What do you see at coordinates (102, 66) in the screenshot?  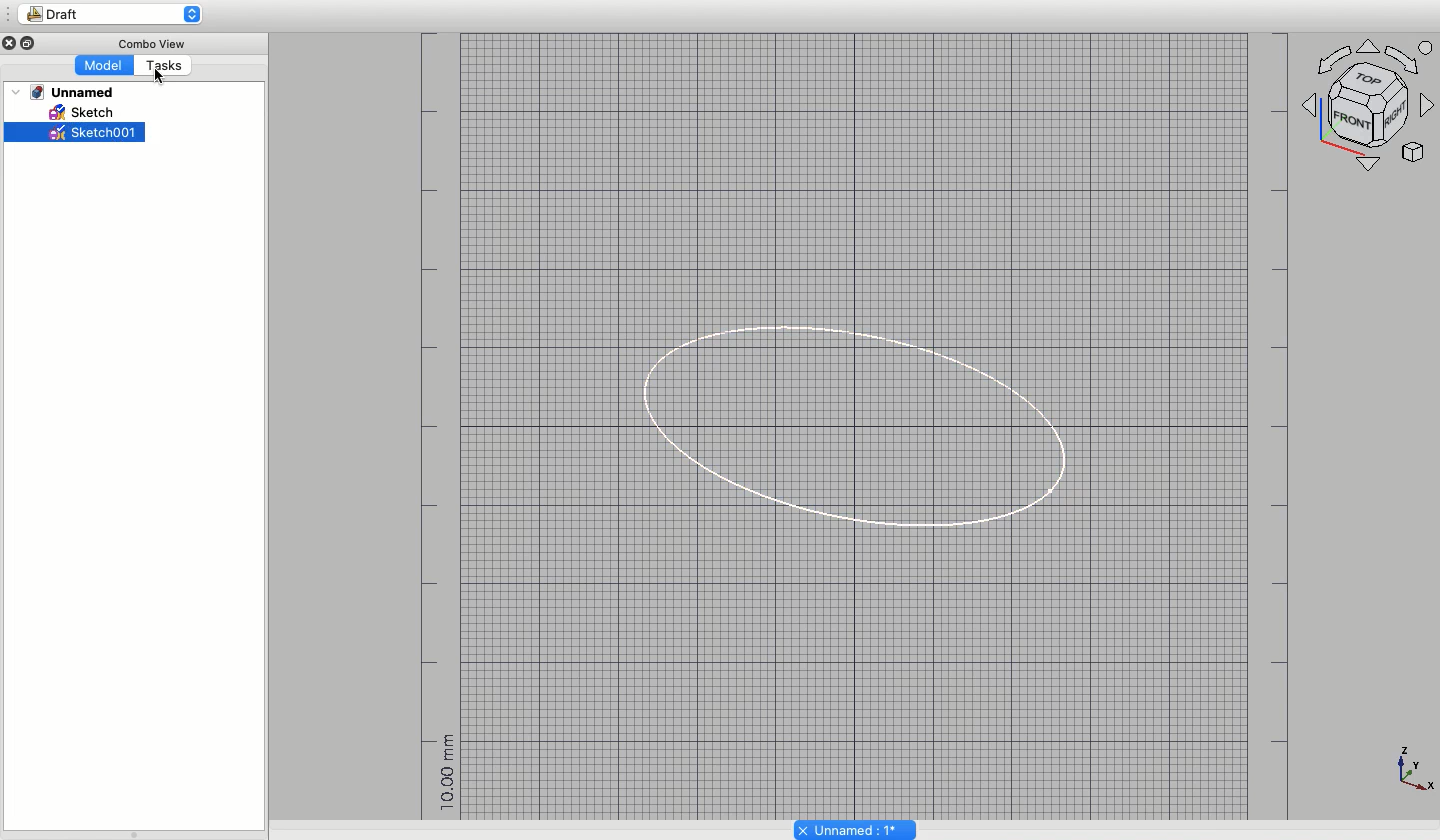 I see `Model ` at bounding box center [102, 66].